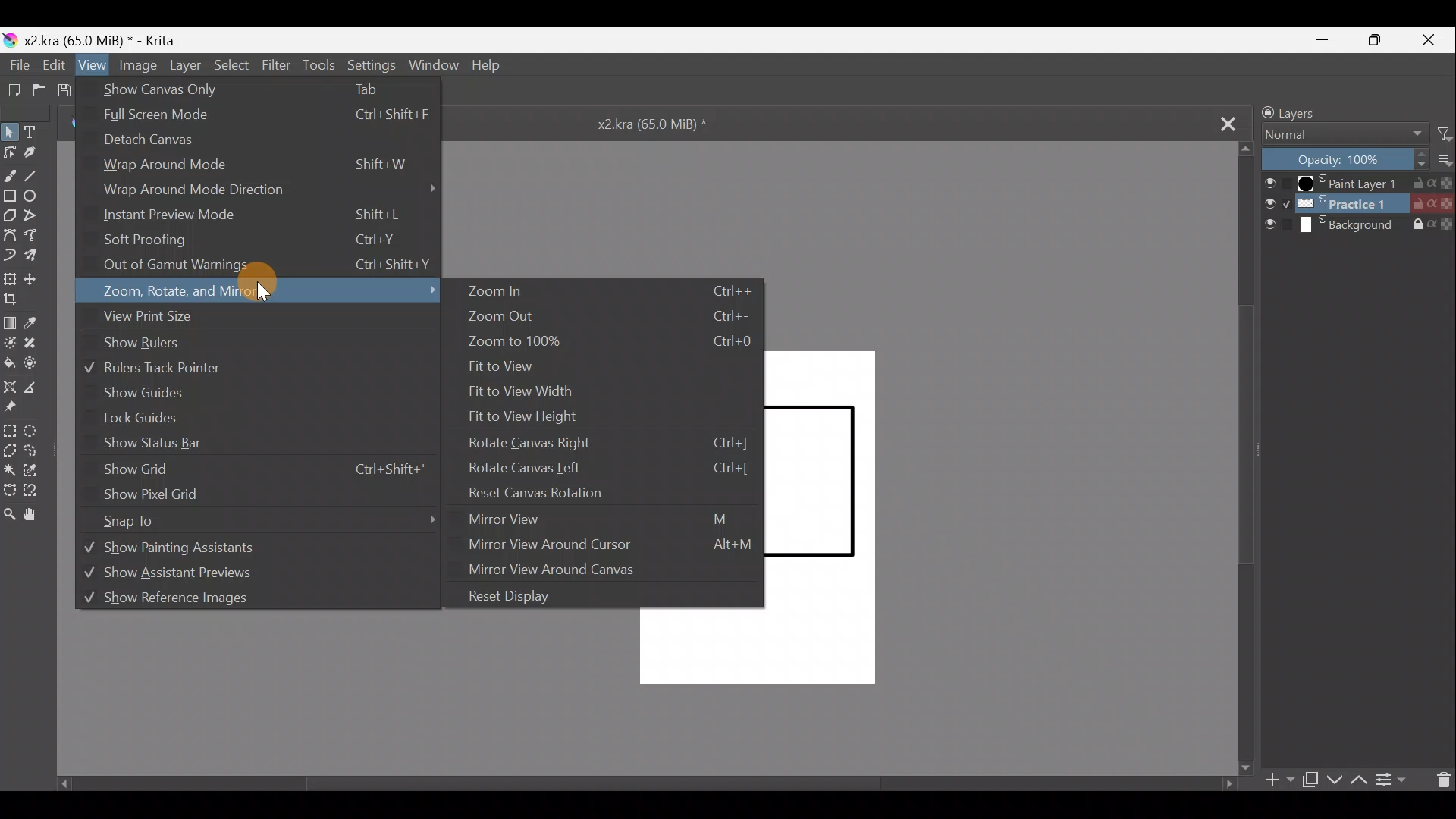 This screenshot has height=819, width=1456. I want to click on Draw a gradient, so click(12, 322).